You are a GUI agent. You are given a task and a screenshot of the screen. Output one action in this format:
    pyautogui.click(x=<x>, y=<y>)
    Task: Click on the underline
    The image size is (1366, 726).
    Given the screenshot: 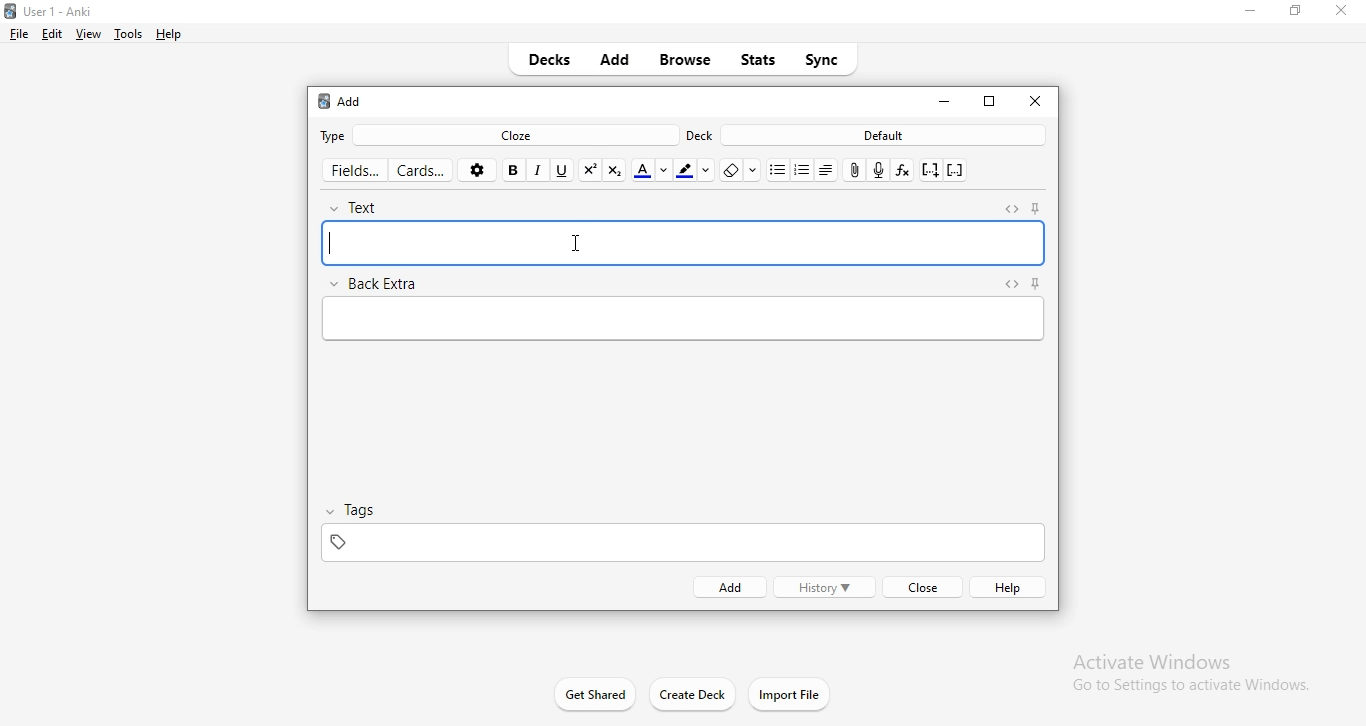 What is the action you would take?
    pyautogui.click(x=564, y=169)
    